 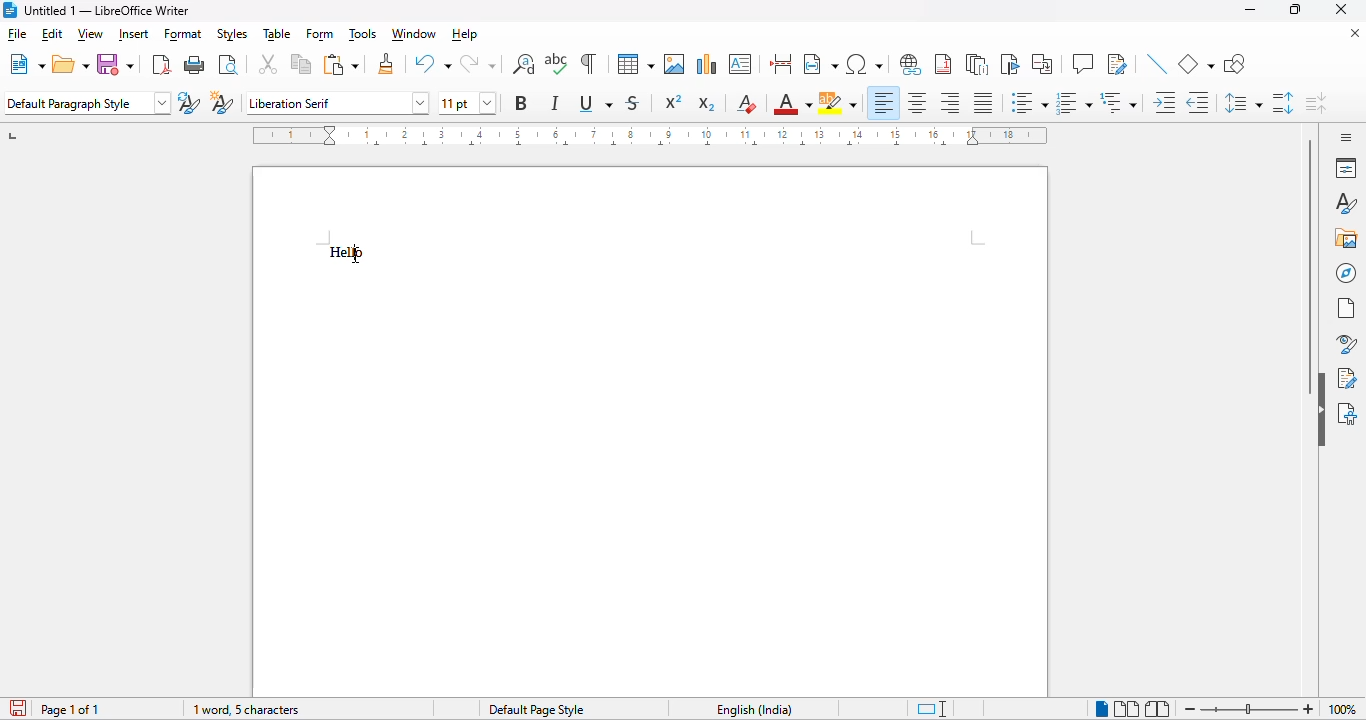 What do you see at coordinates (707, 103) in the screenshot?
I see `subscript` at bounding box center [707, 103].